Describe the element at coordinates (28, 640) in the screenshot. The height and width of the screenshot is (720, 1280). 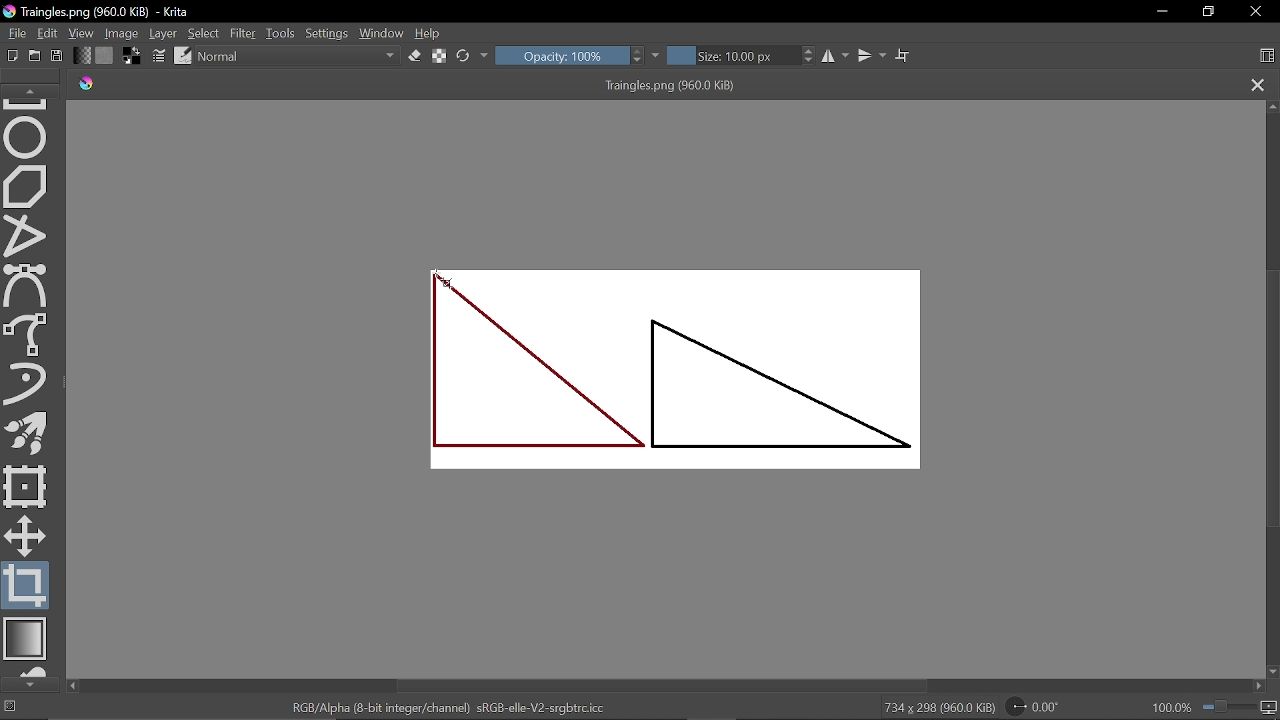
I see `Draw gradient tool` at that location.